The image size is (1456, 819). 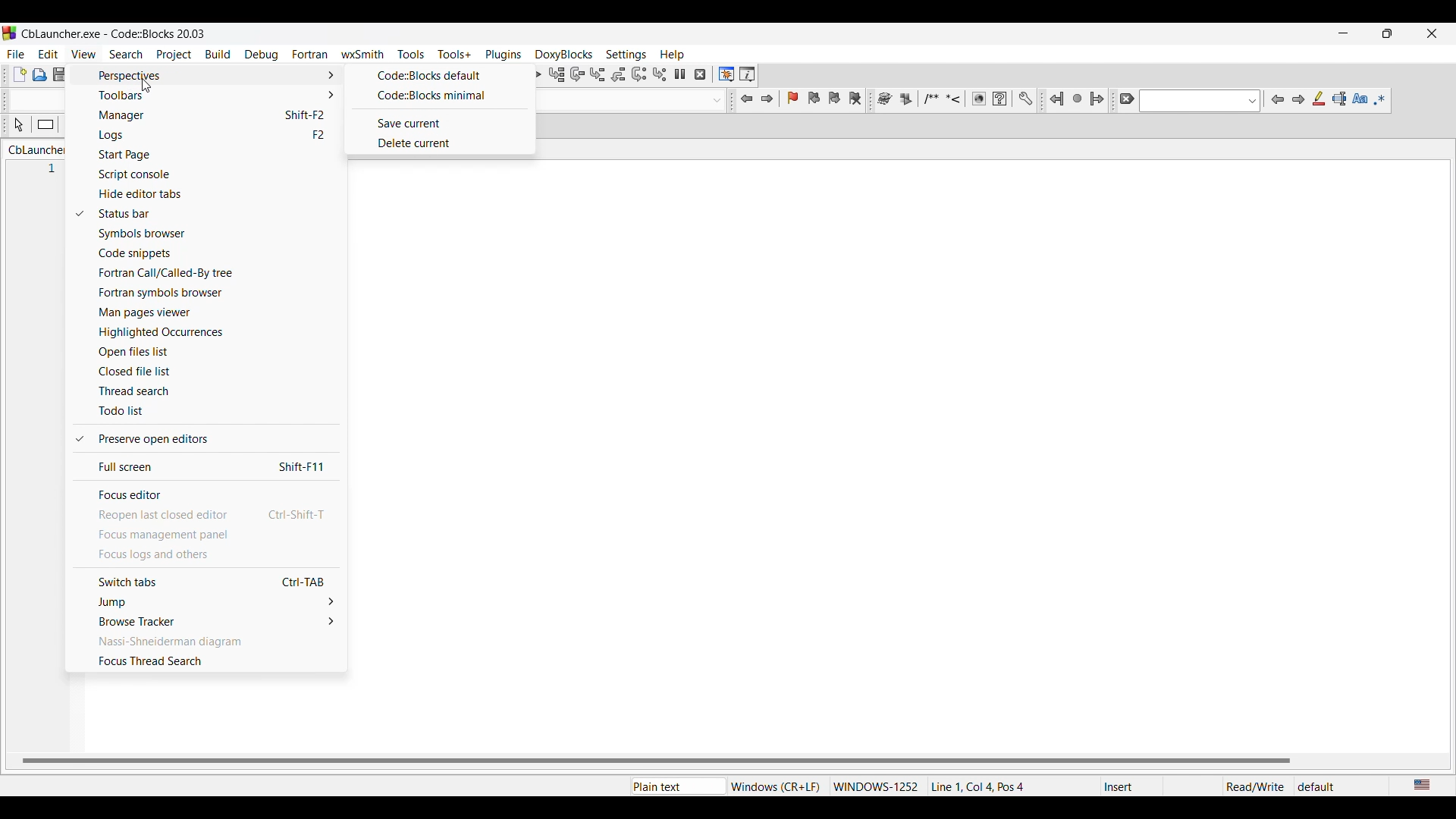 What do you see at coordinates (680, 74) in the screenshot?
I see `Break debugger` at bounding box center [680, 74].